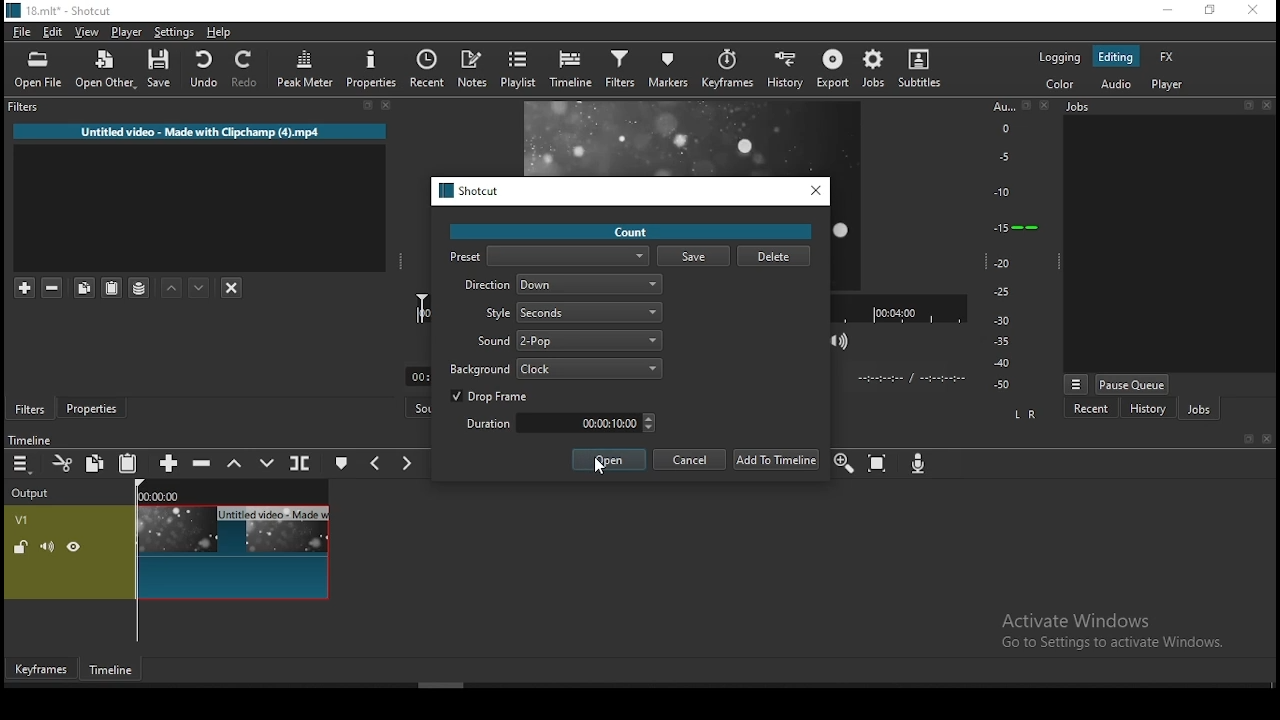  What do you see at coordinates (618, 70) in the screenshot?
I see `filters` at bounding box center [618, 70].